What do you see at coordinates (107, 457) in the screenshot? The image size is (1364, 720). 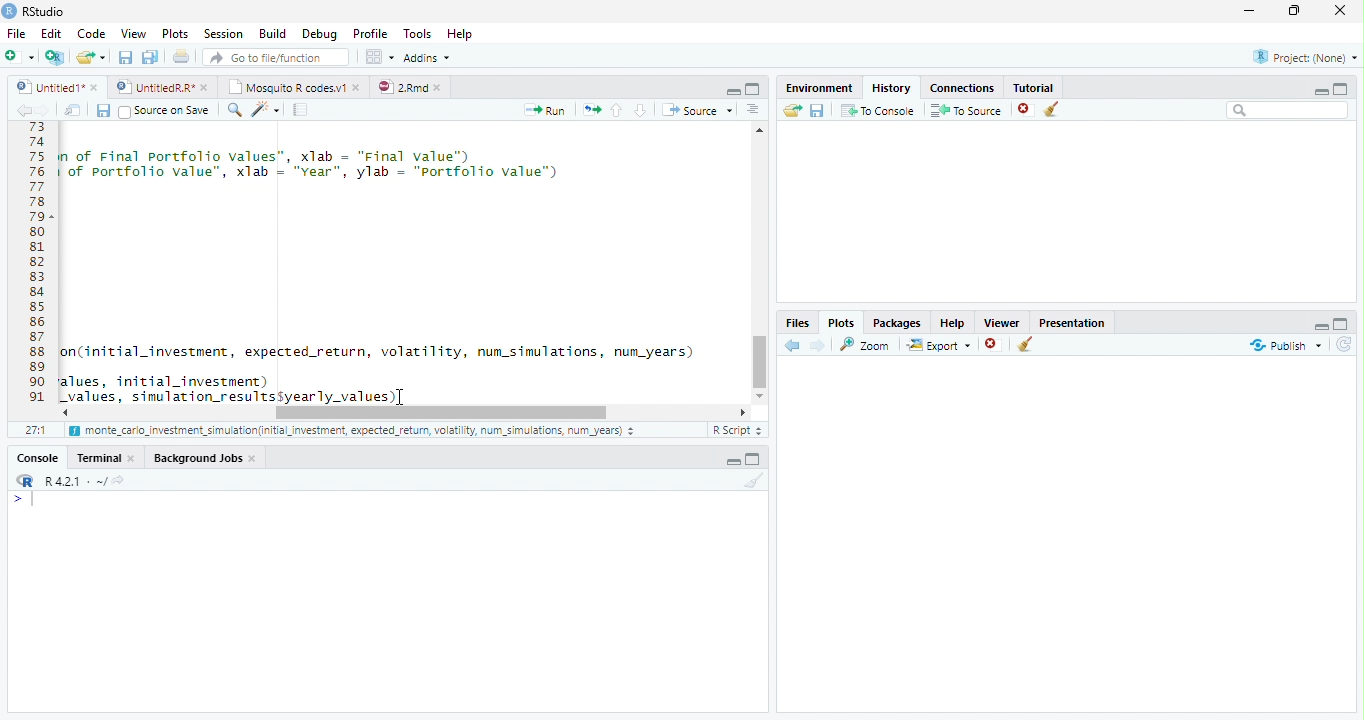 I see `Terminal` at bounding box center [107, 457].